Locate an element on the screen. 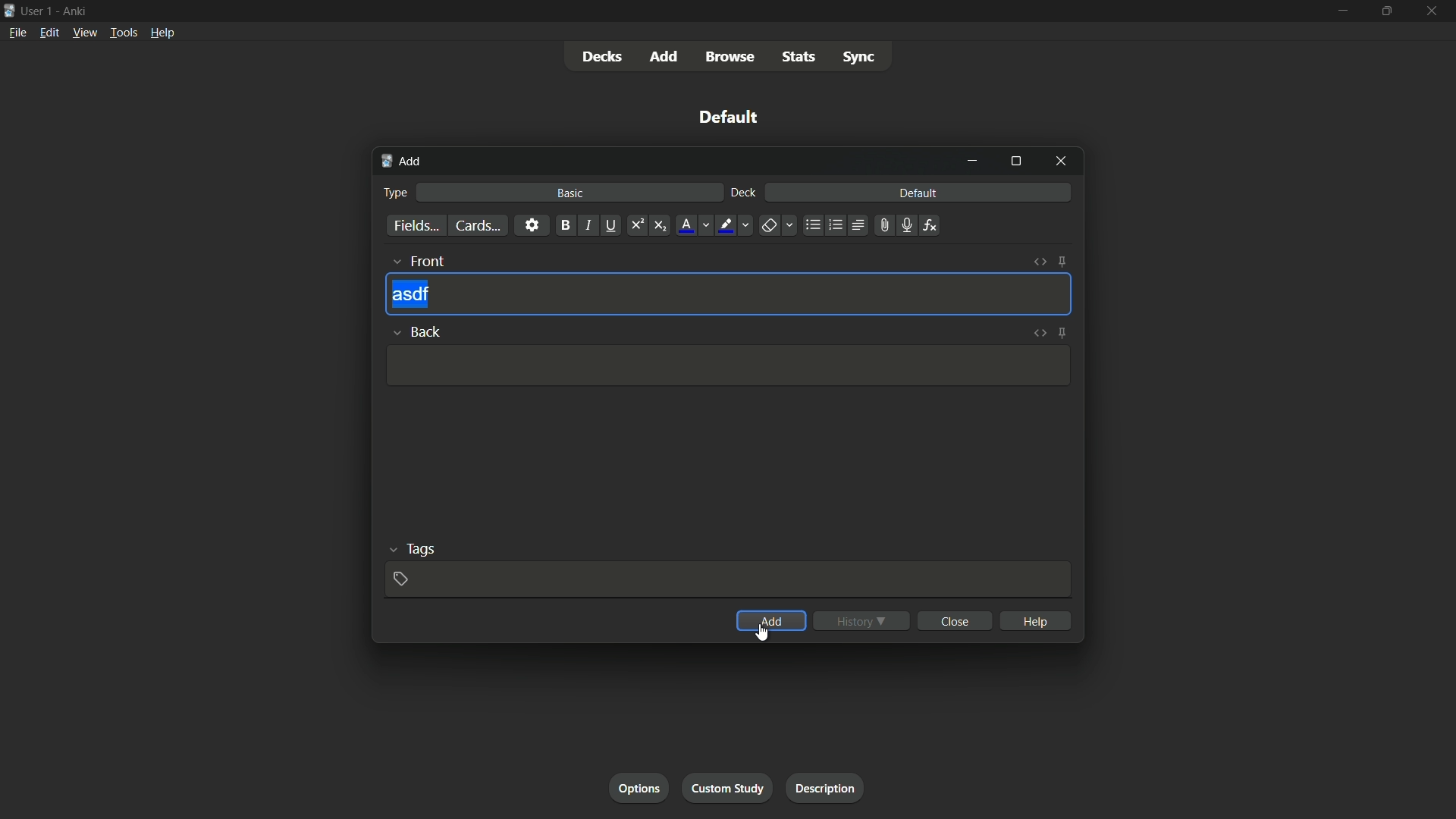 This screenshot has width=1456, height=819. default is located at coordinates (725, 116).